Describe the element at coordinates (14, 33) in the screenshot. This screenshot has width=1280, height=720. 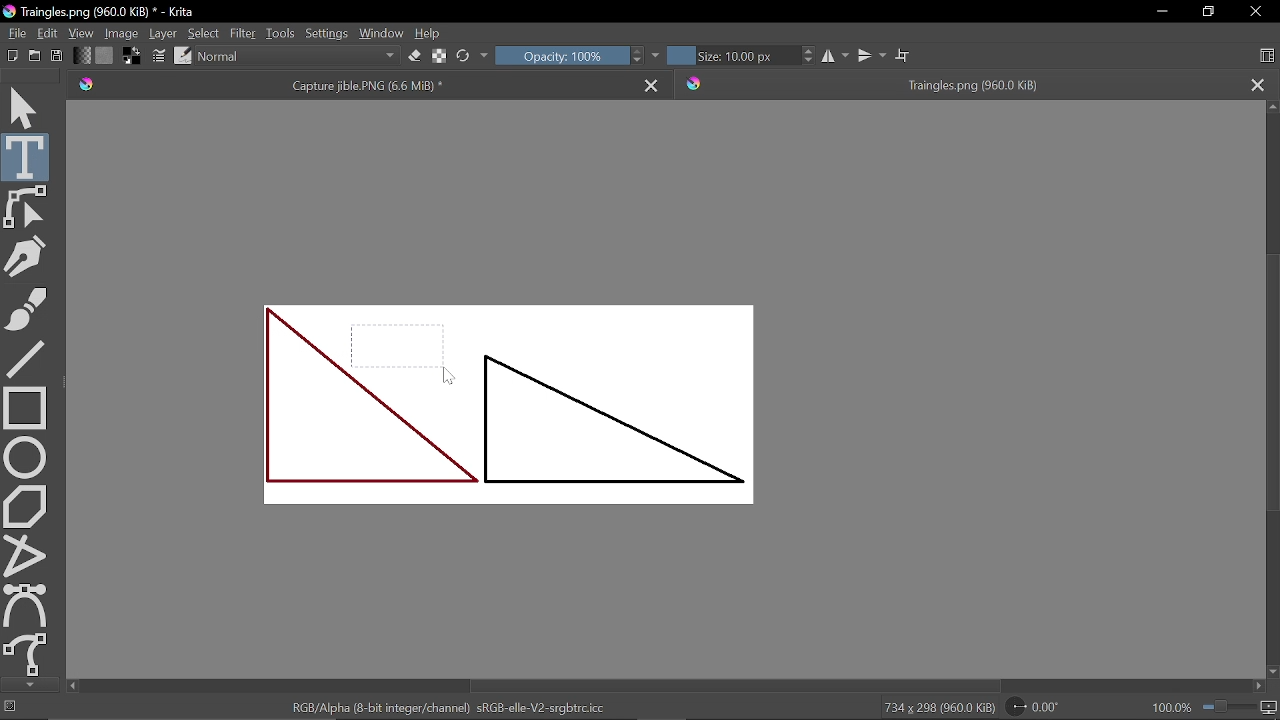
I see `File` at that location.